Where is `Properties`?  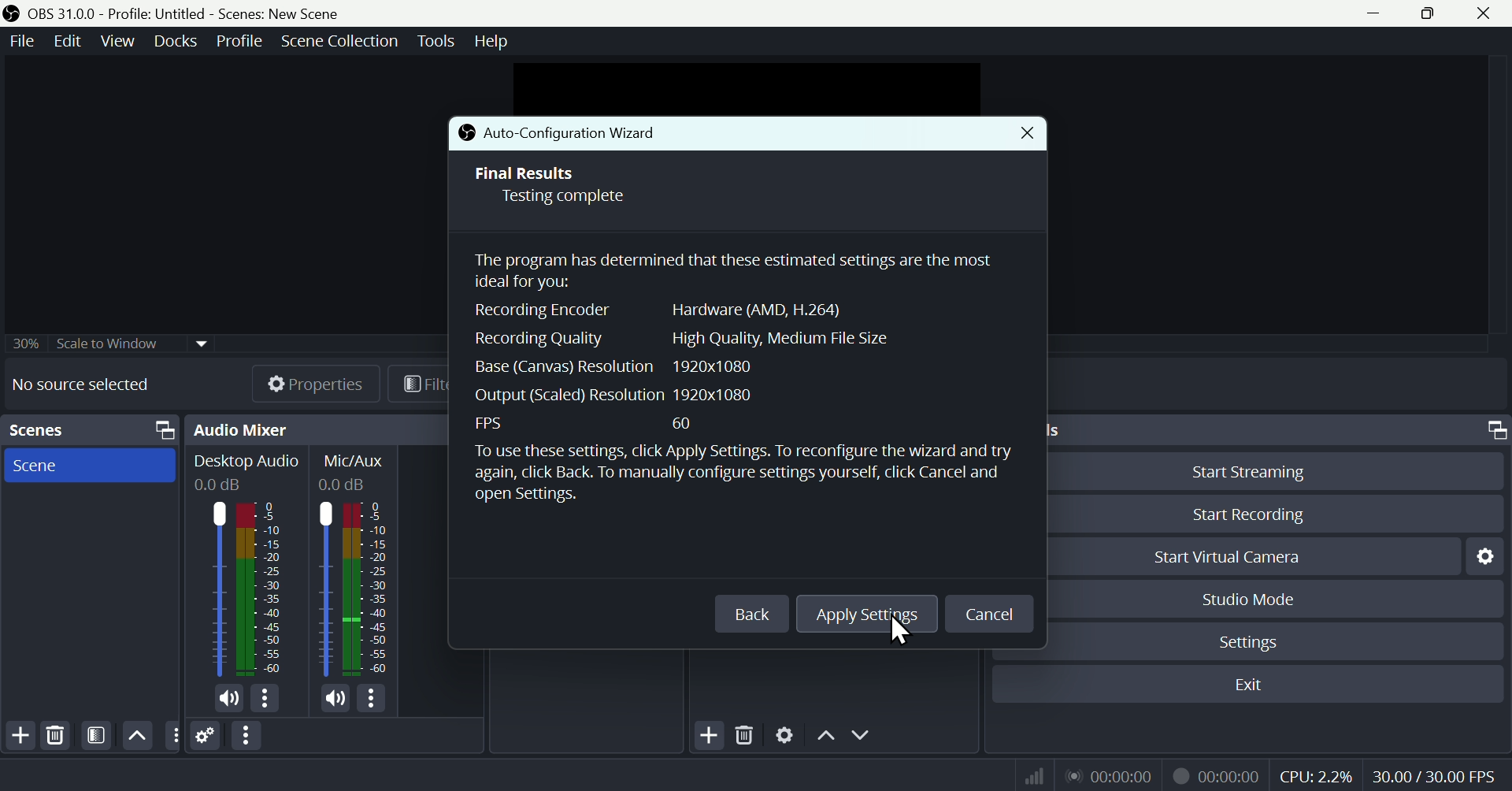 Properties is located at coordinates (301, 383).